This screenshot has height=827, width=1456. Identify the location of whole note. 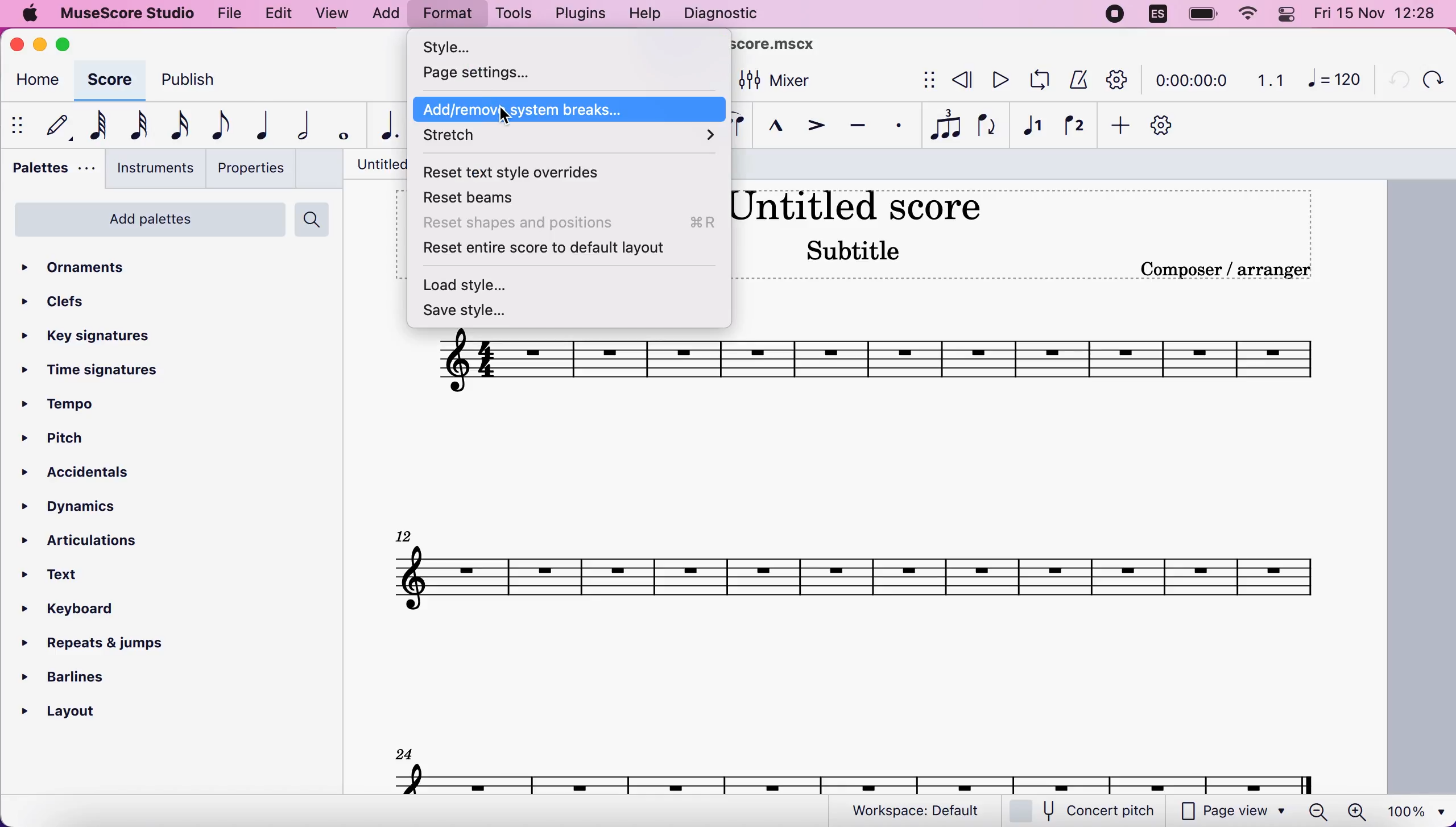
(340, 126).